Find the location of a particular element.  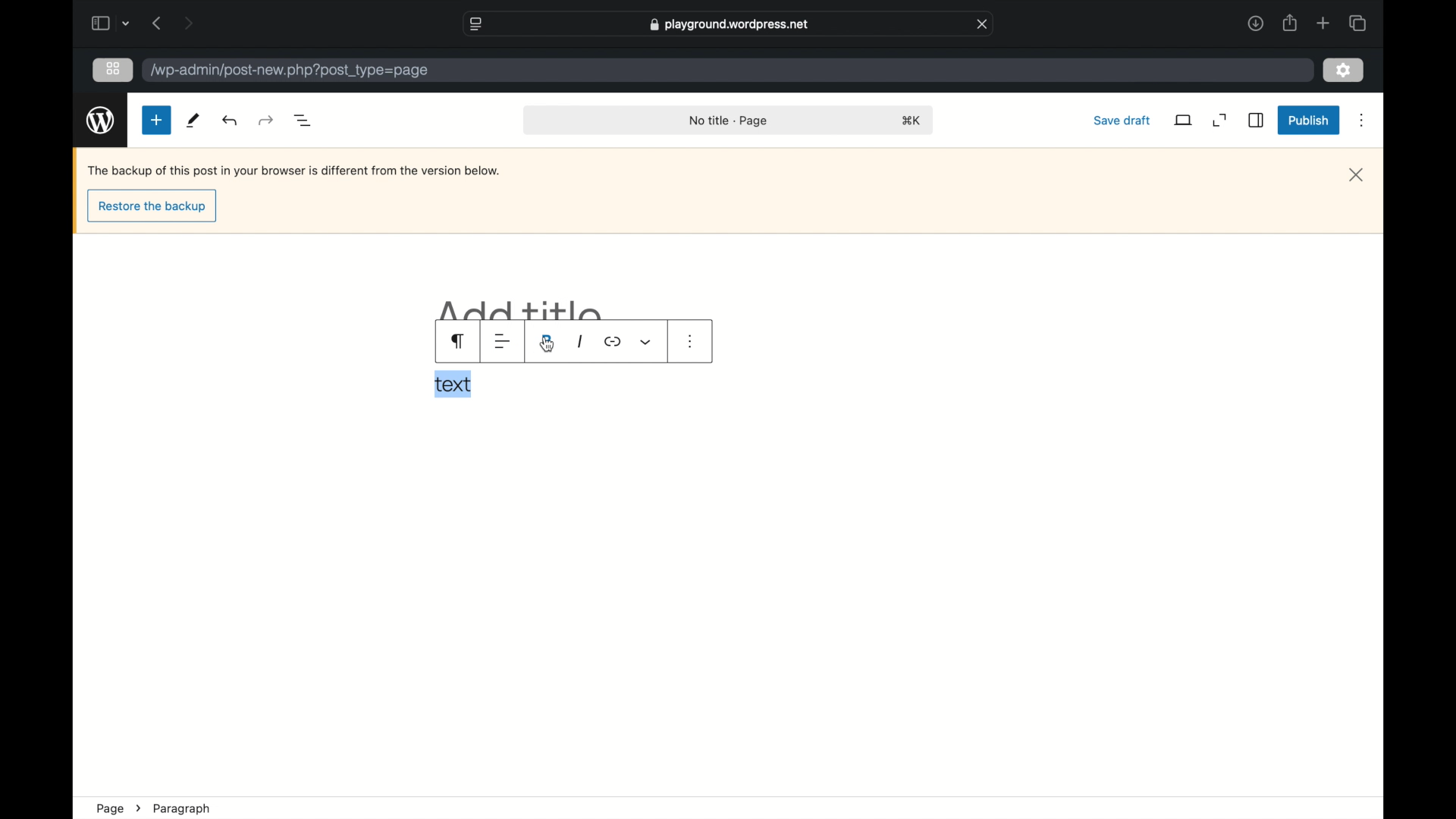

downloads is located at coordinates (1256, 23).